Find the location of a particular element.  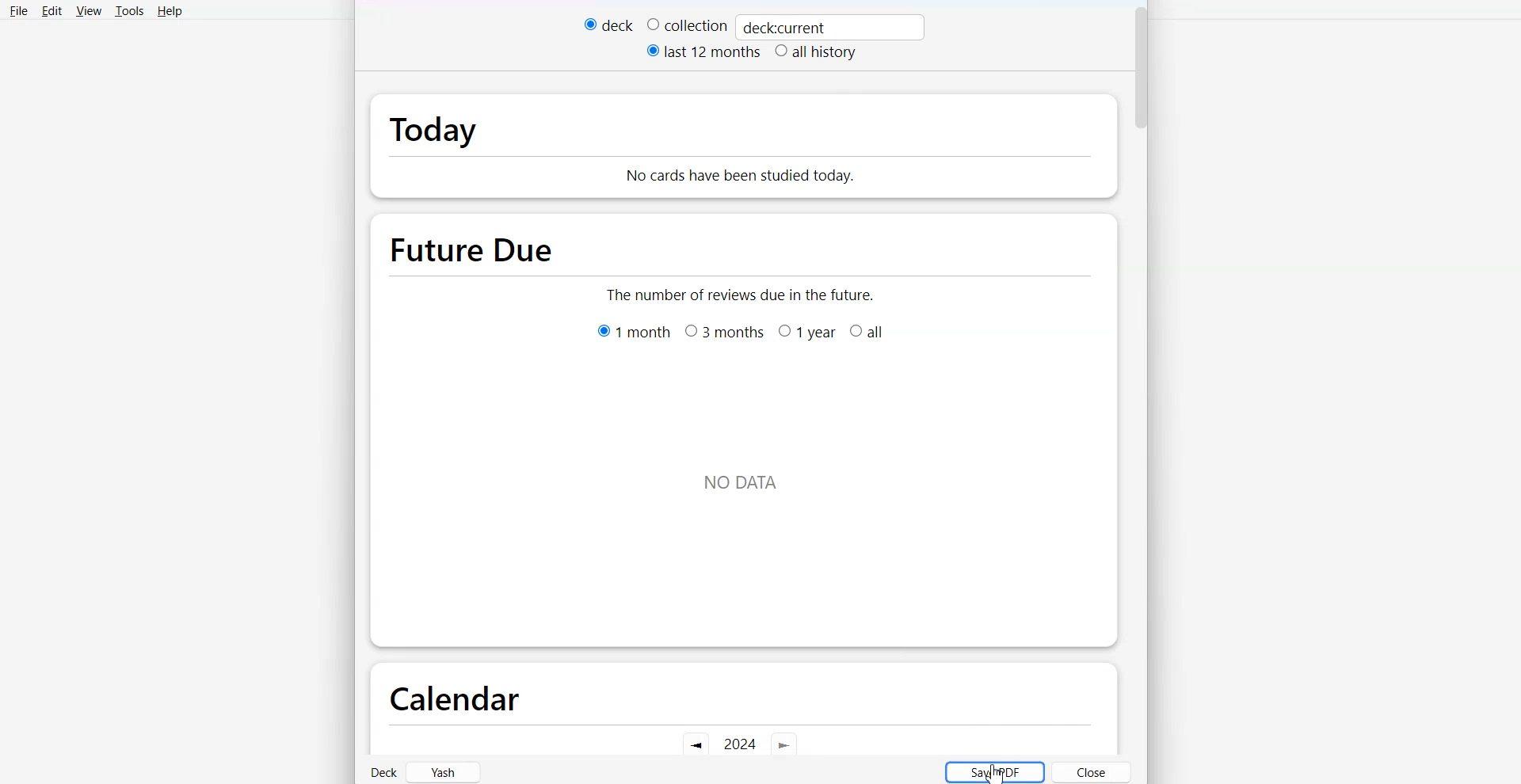

File is located at coordinates (17, 11).